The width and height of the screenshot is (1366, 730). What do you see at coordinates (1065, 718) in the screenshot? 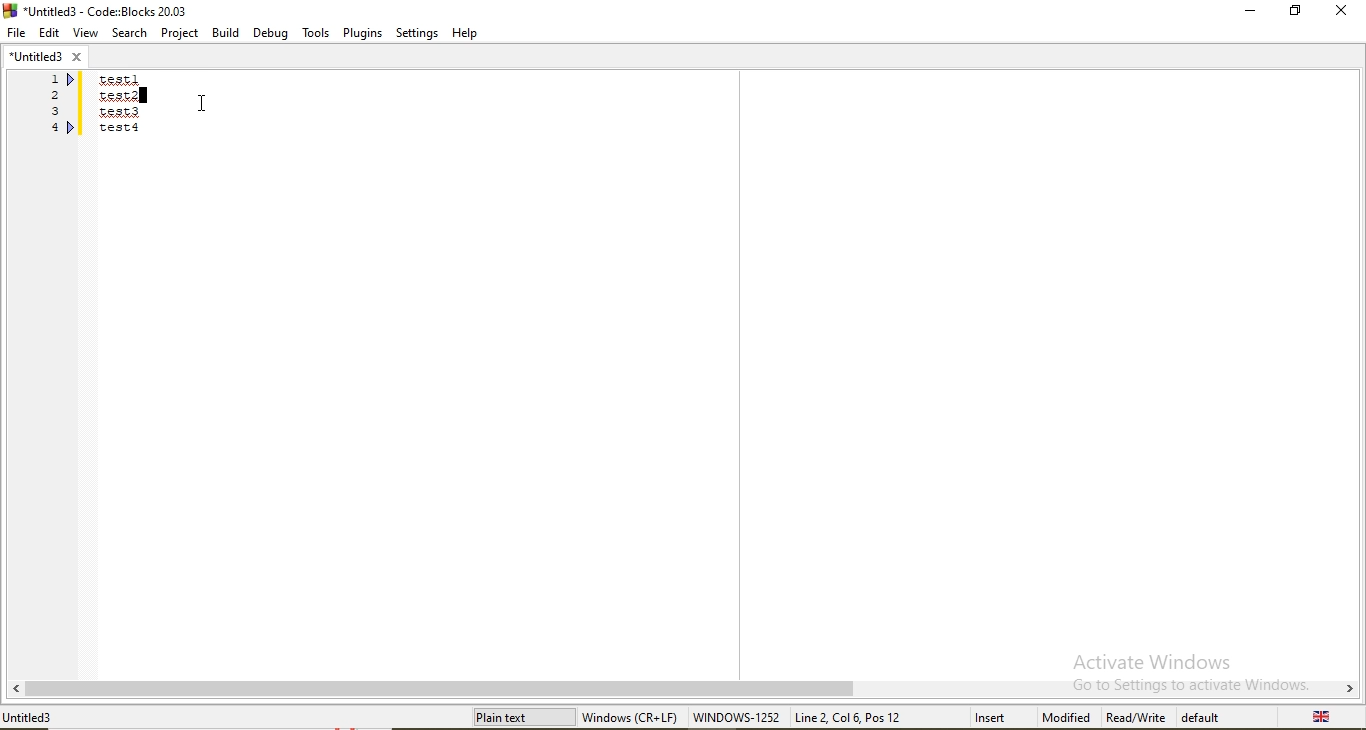
I see `modified` at bounding box center [1065, 718].